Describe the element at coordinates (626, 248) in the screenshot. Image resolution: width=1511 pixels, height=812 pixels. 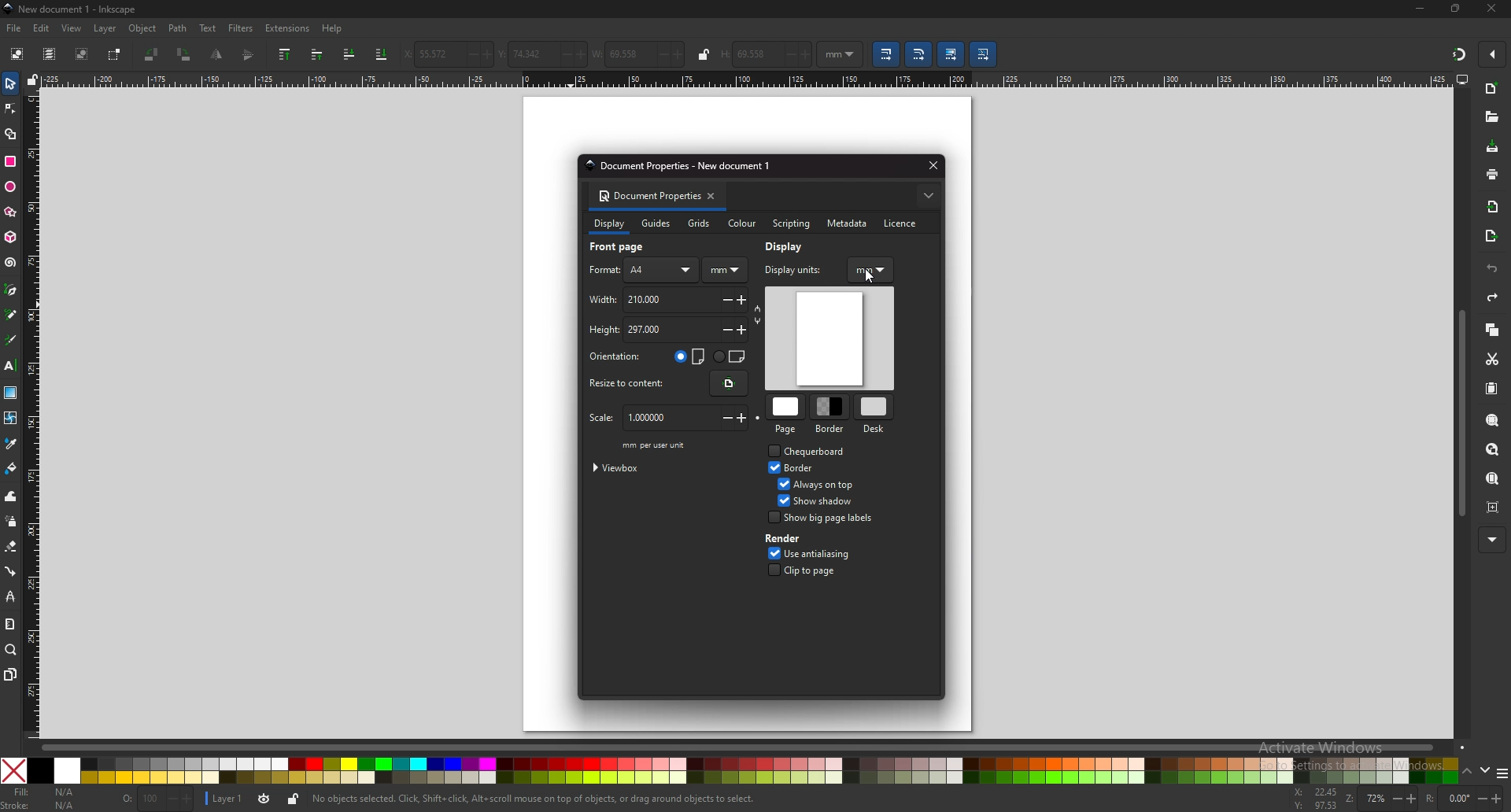
I see `front page` at that location.